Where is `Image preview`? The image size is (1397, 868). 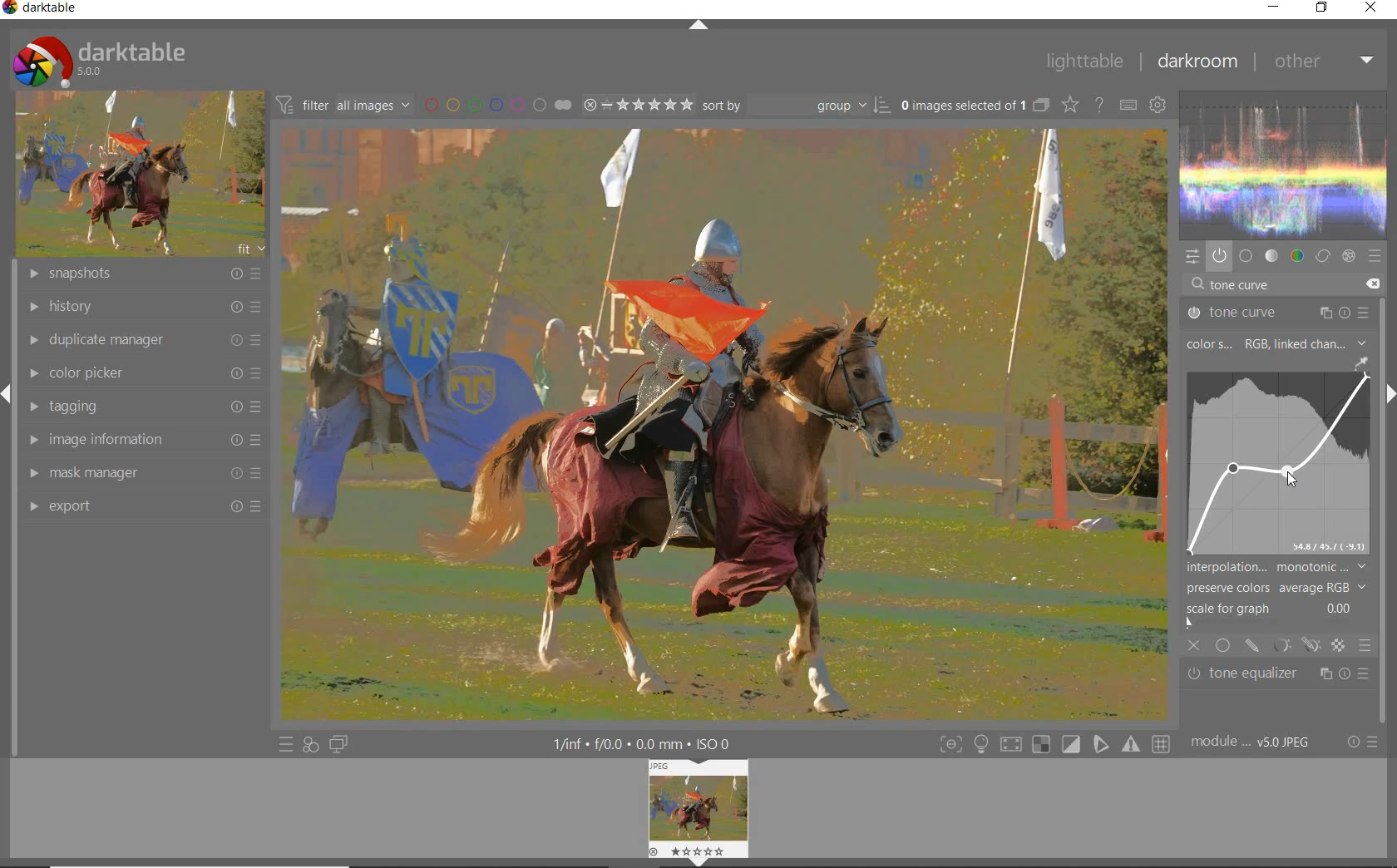
Image preview is located at coordinates (701, 810).